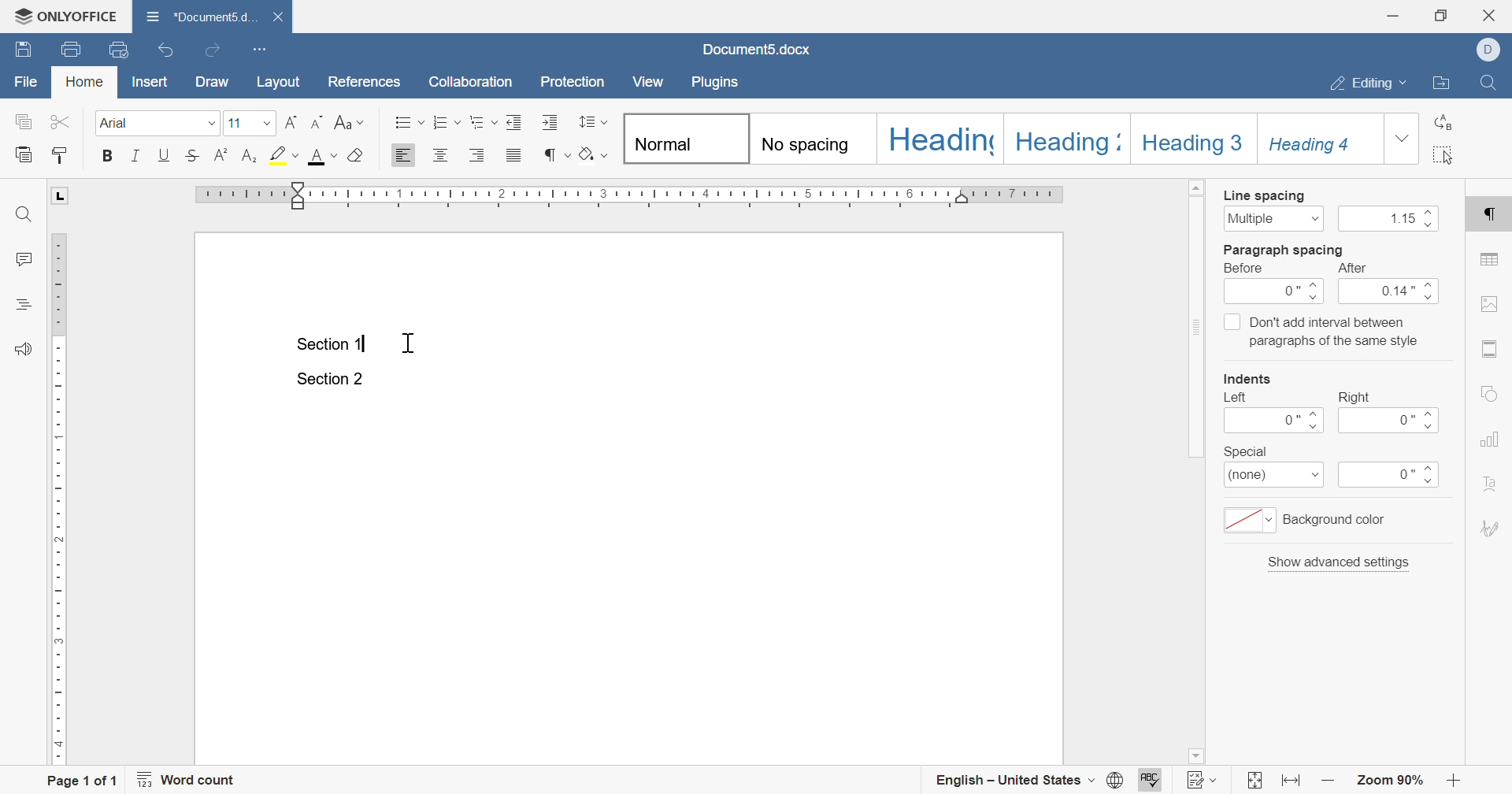 The width and height of the screenshot is (1512, 794). Describe the element at coordinates (24, 153) in the screenshot. I see `paste` at that location.